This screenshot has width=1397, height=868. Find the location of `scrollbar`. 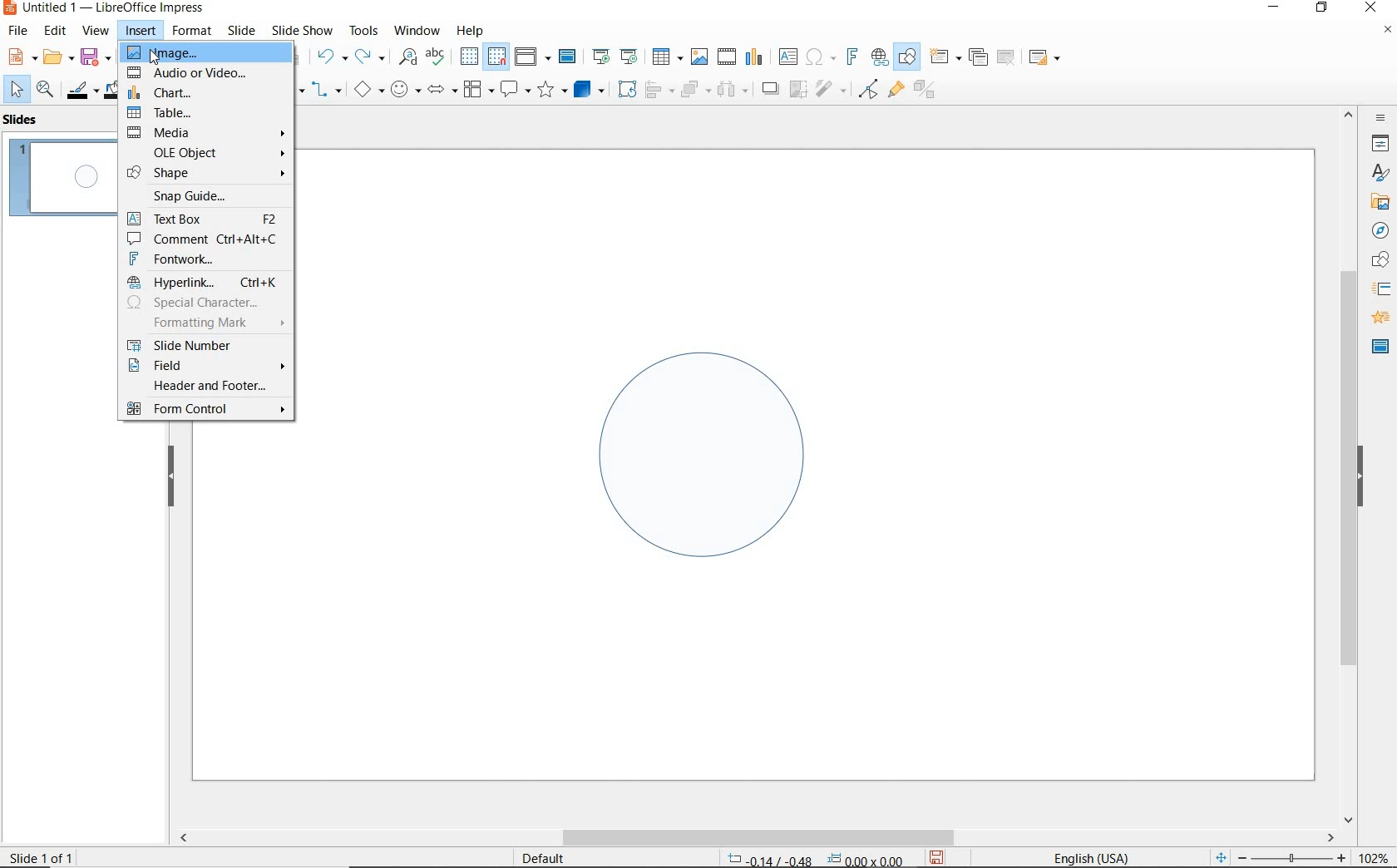

scrollbar is located at coordinates (755, 837).